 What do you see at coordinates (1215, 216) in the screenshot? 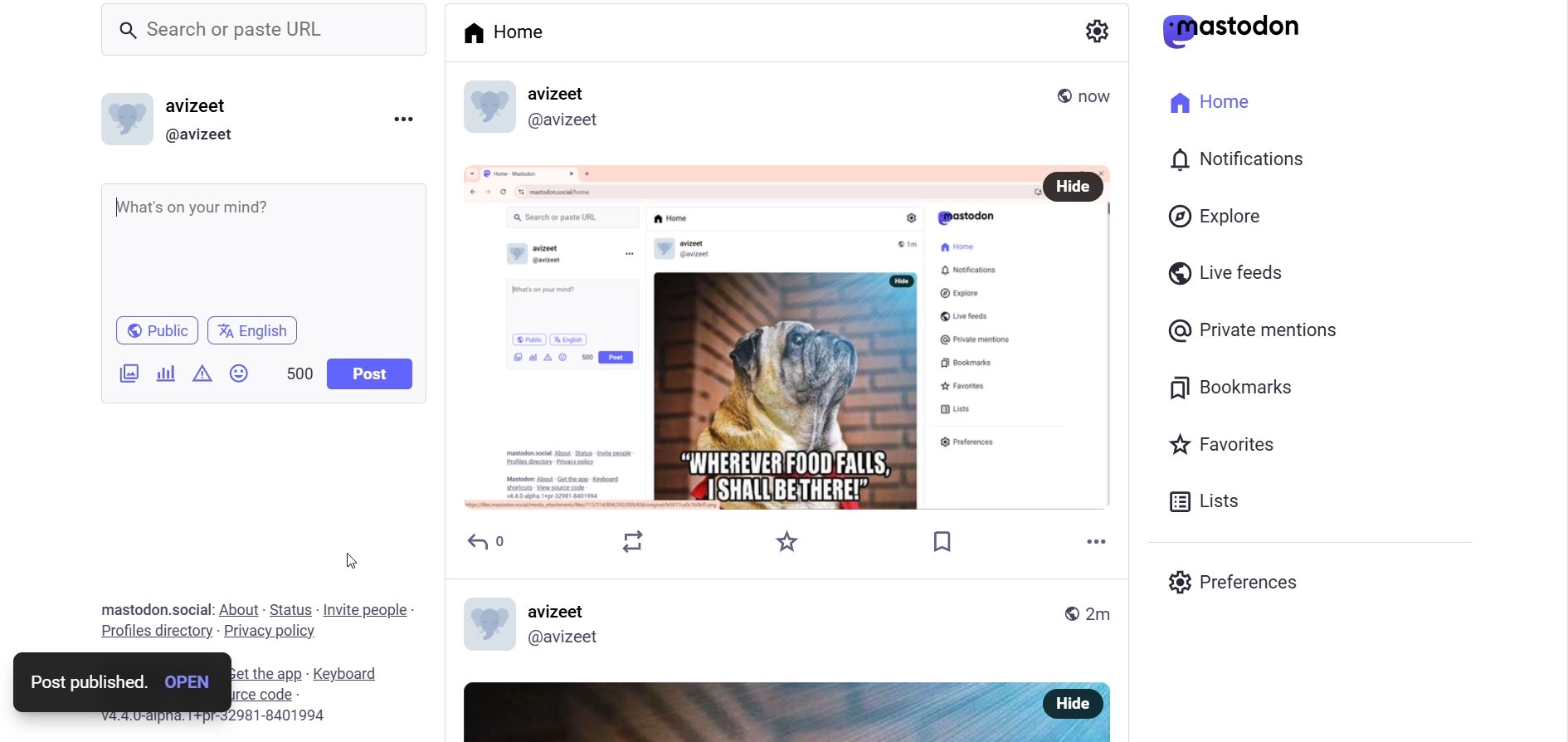
I see `explore` at bounding box center [1215, 216].